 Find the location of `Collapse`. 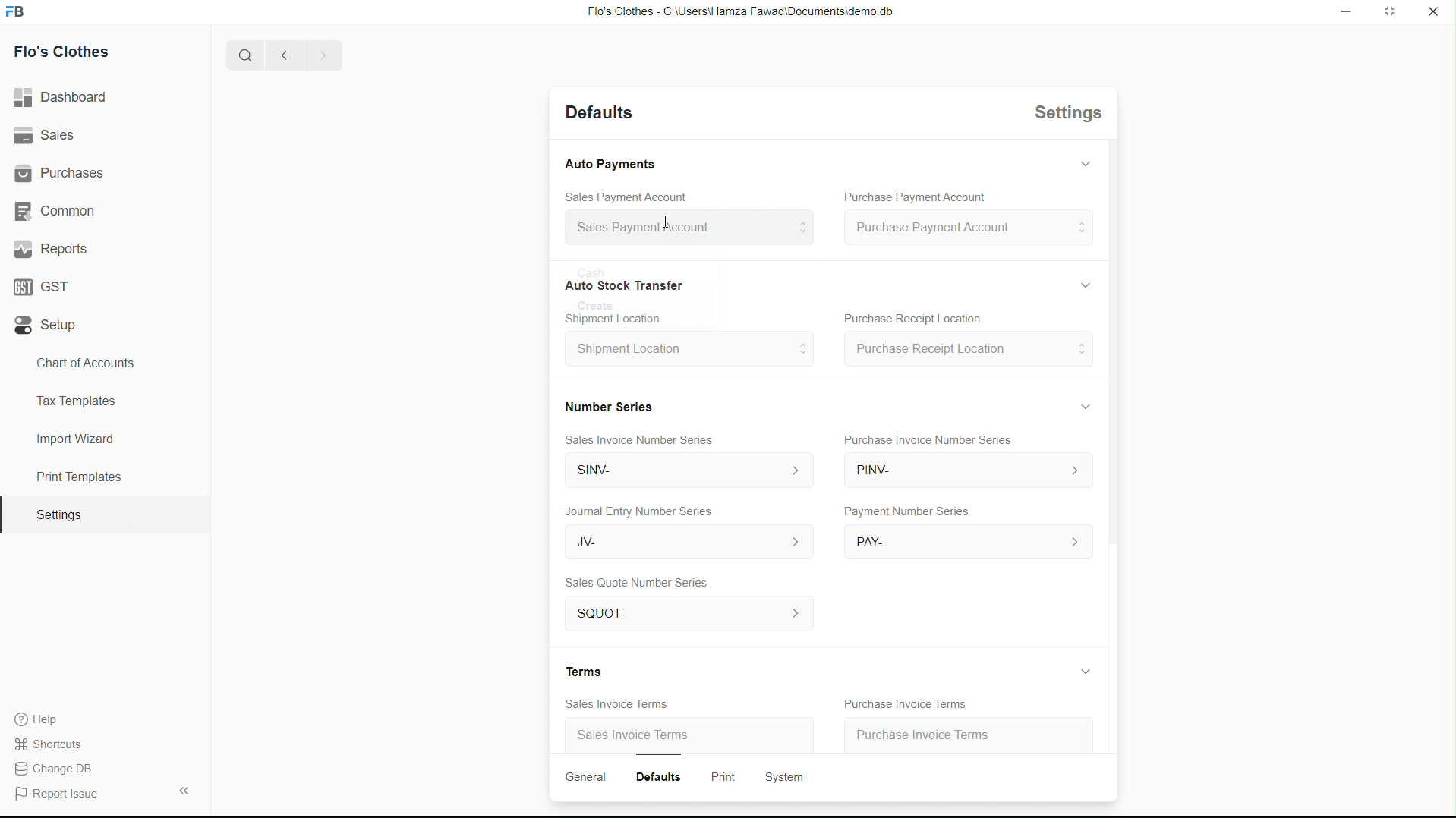

Collapse is located at coordinates (183, 790).